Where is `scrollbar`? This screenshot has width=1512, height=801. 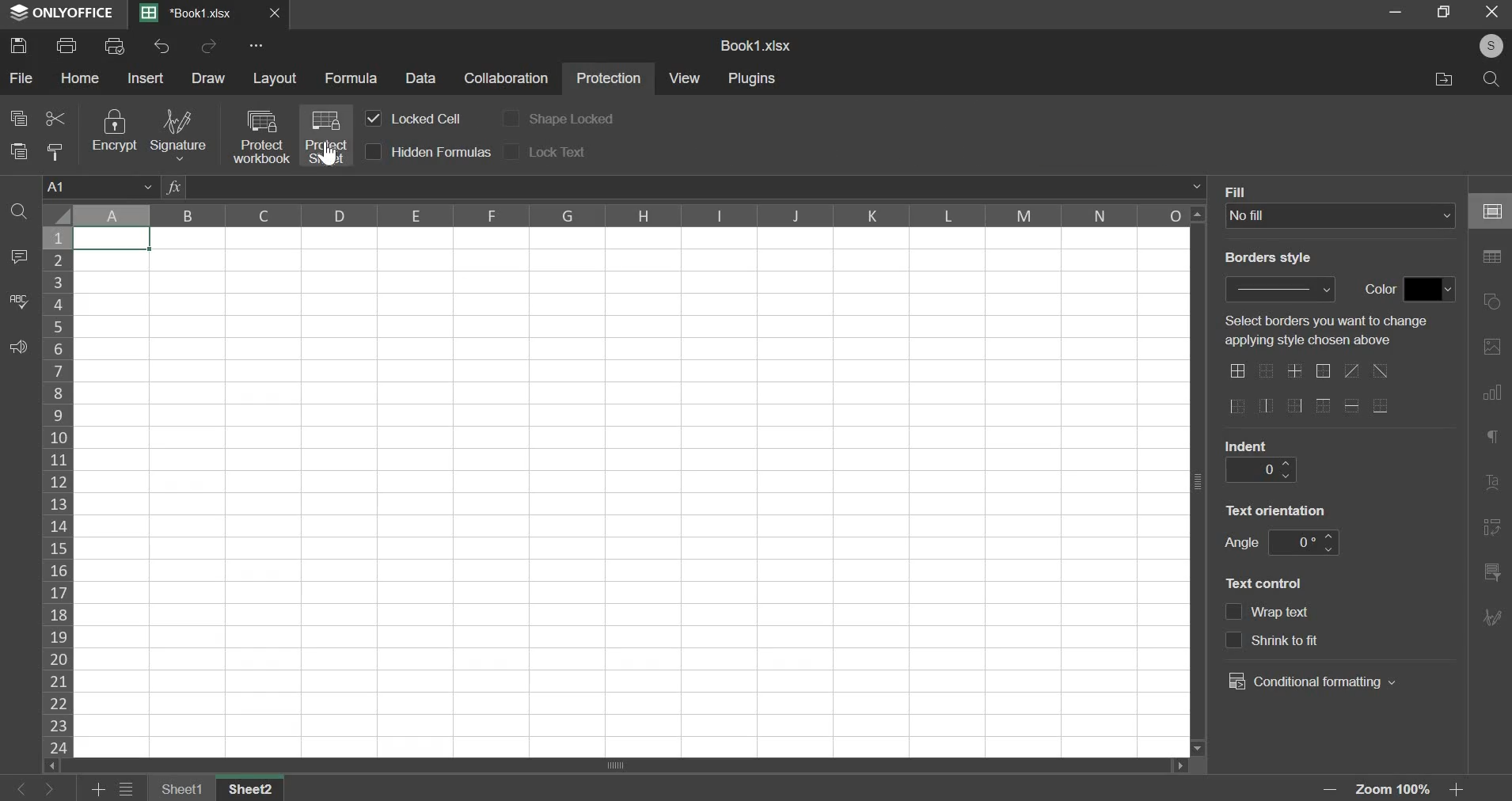
scrollbar is located at coordinates (623, 765).